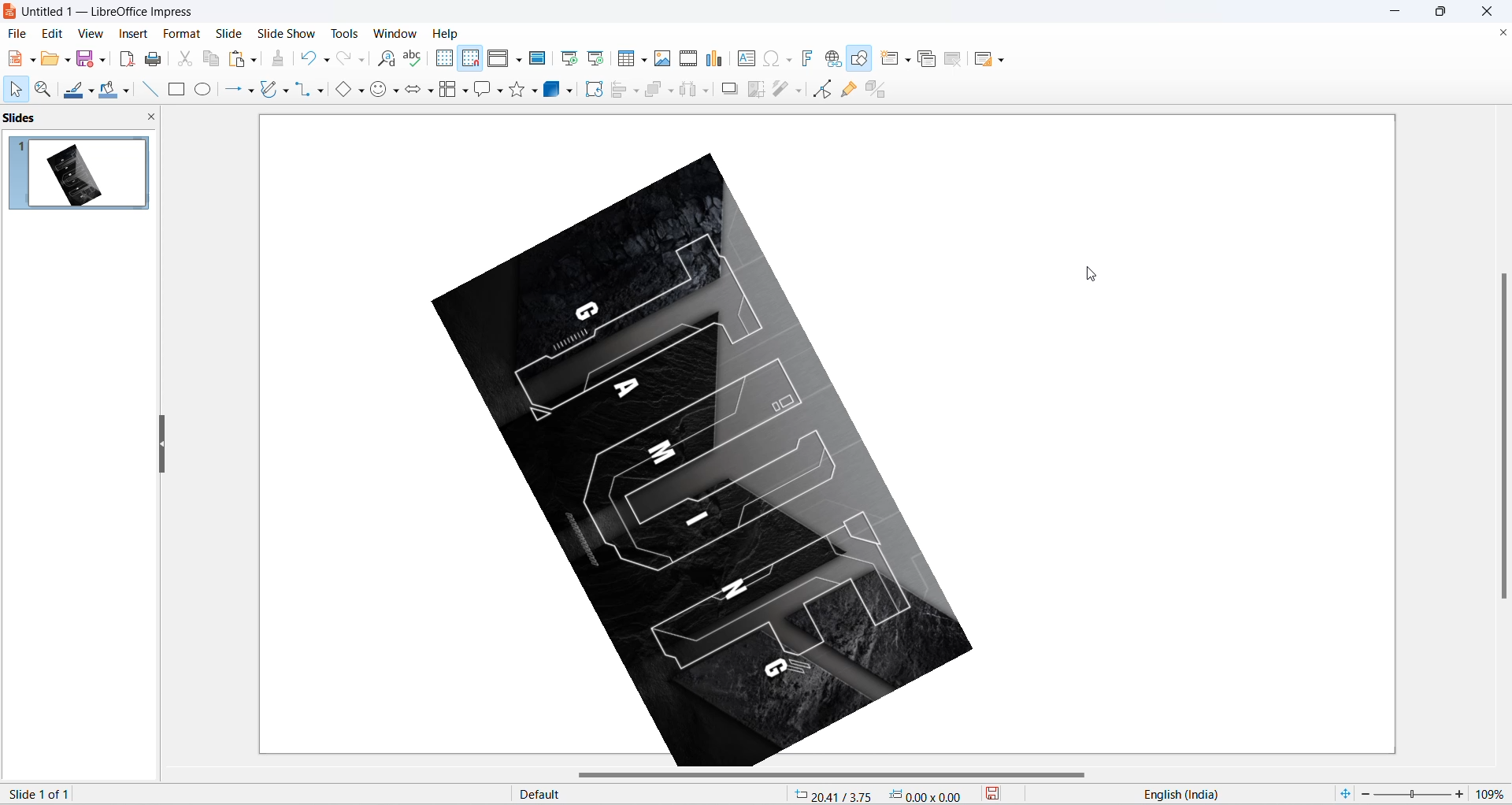 The width and height of the screenshot is (1512, 805). What do you see at coordinates (68, 62) in the screenshot?
I see `open file options` at bounding box center [68, 62].